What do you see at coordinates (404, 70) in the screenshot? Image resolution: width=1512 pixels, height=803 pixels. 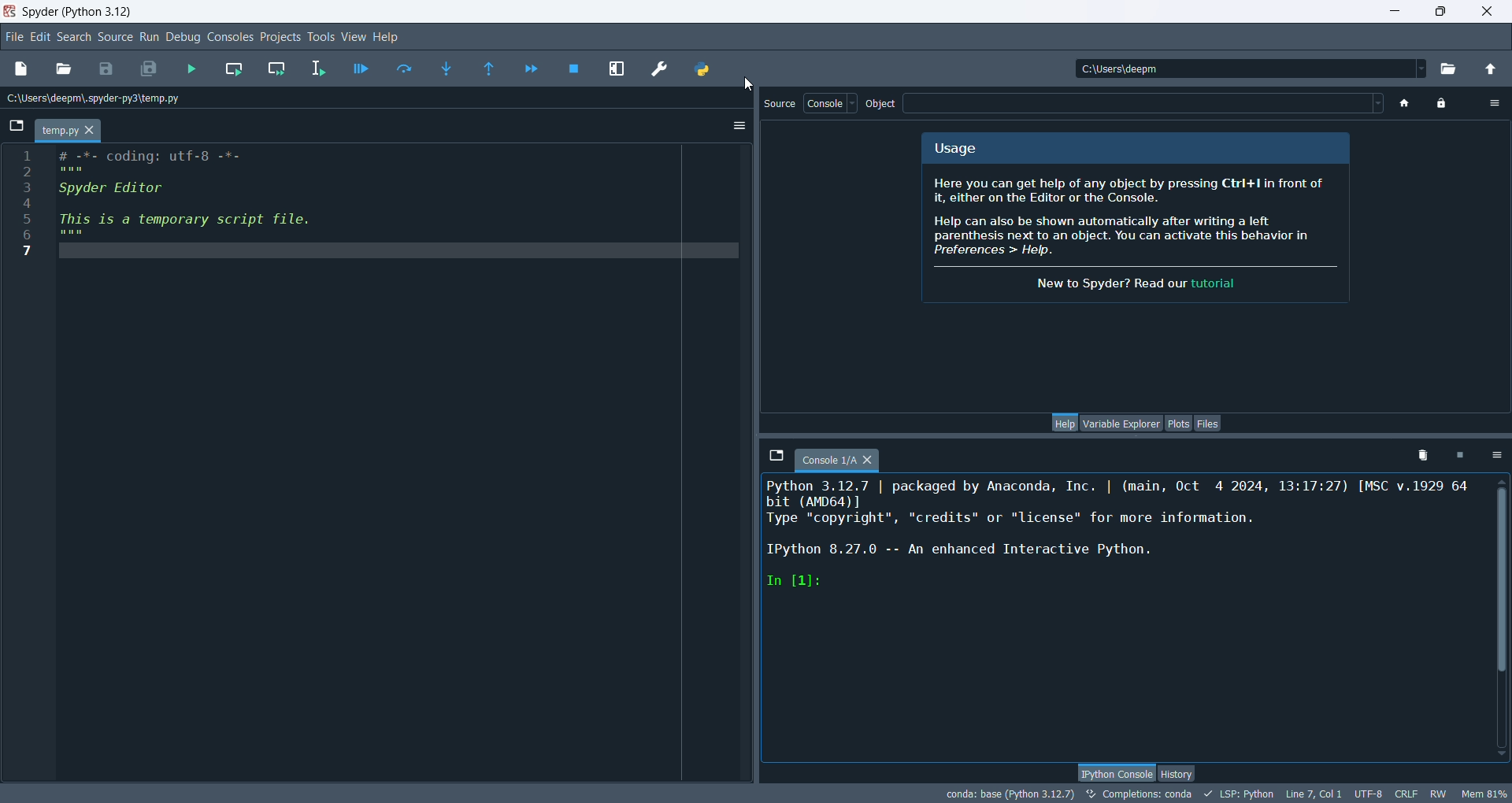 I see `run current line` at bounding box center [404, 70].